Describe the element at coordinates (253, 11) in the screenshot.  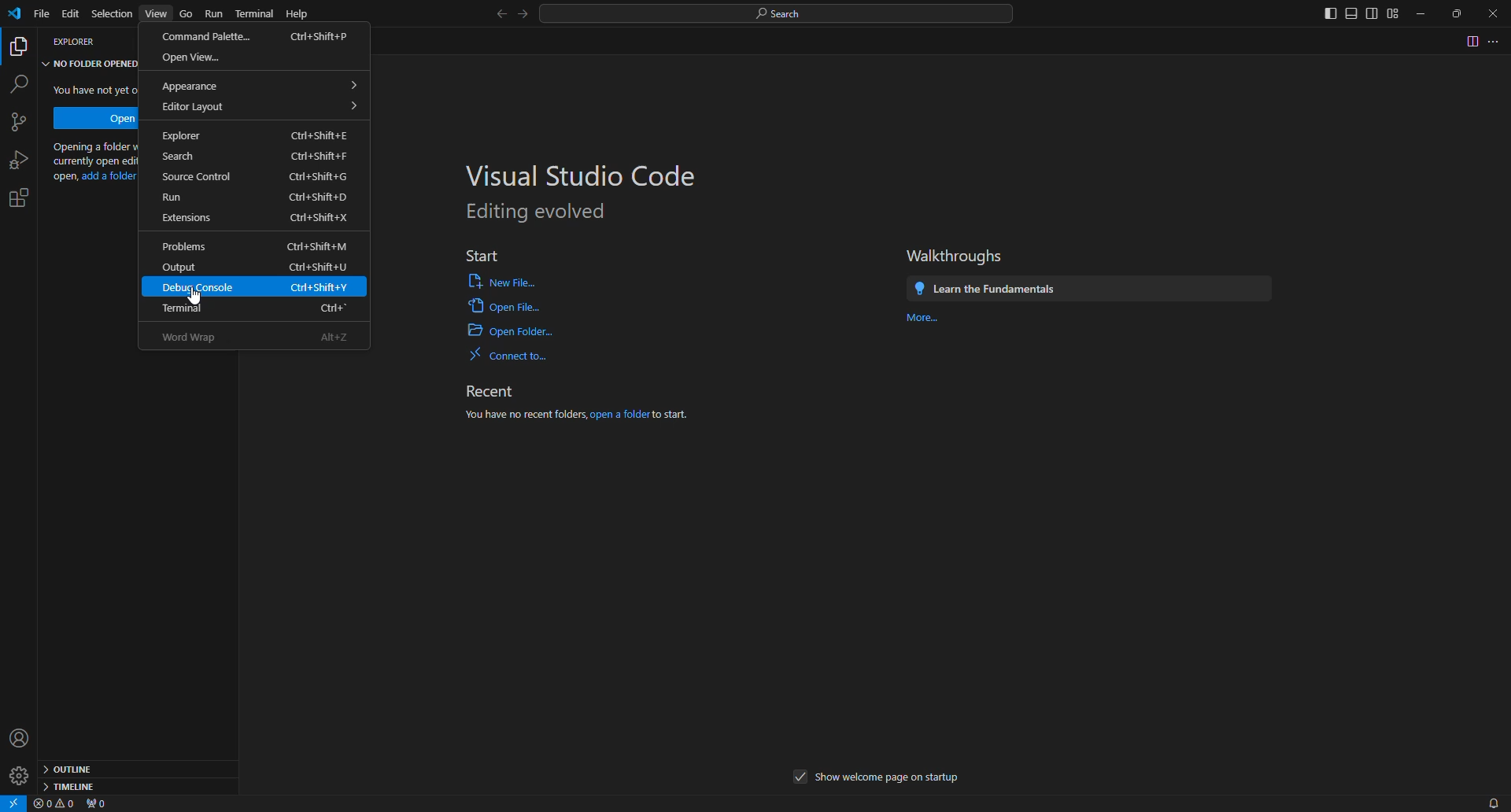
I see `Terminal` at that location.